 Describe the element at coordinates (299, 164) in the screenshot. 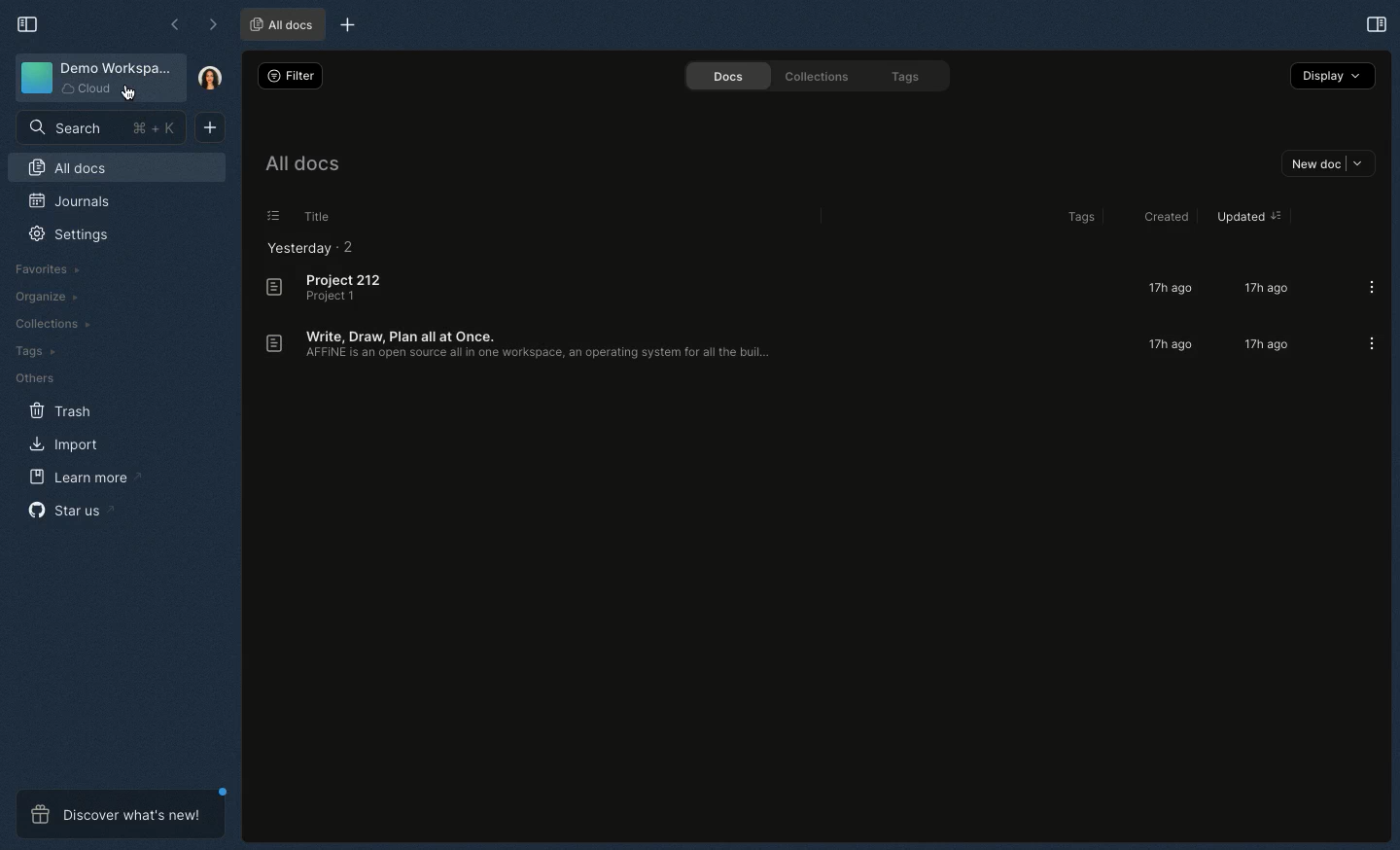

I see `All docs` at that location.